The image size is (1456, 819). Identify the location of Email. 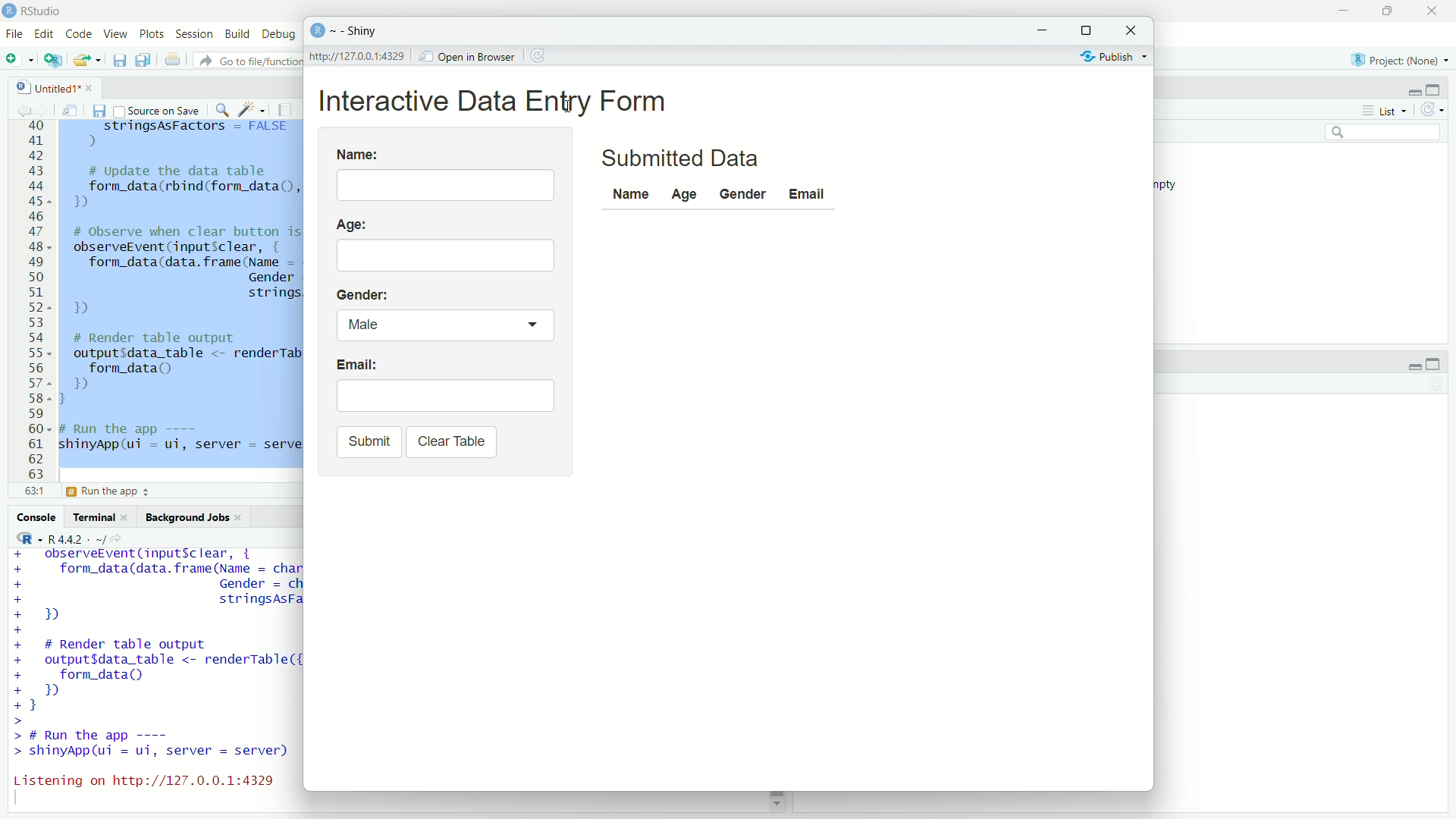
(810, 193).